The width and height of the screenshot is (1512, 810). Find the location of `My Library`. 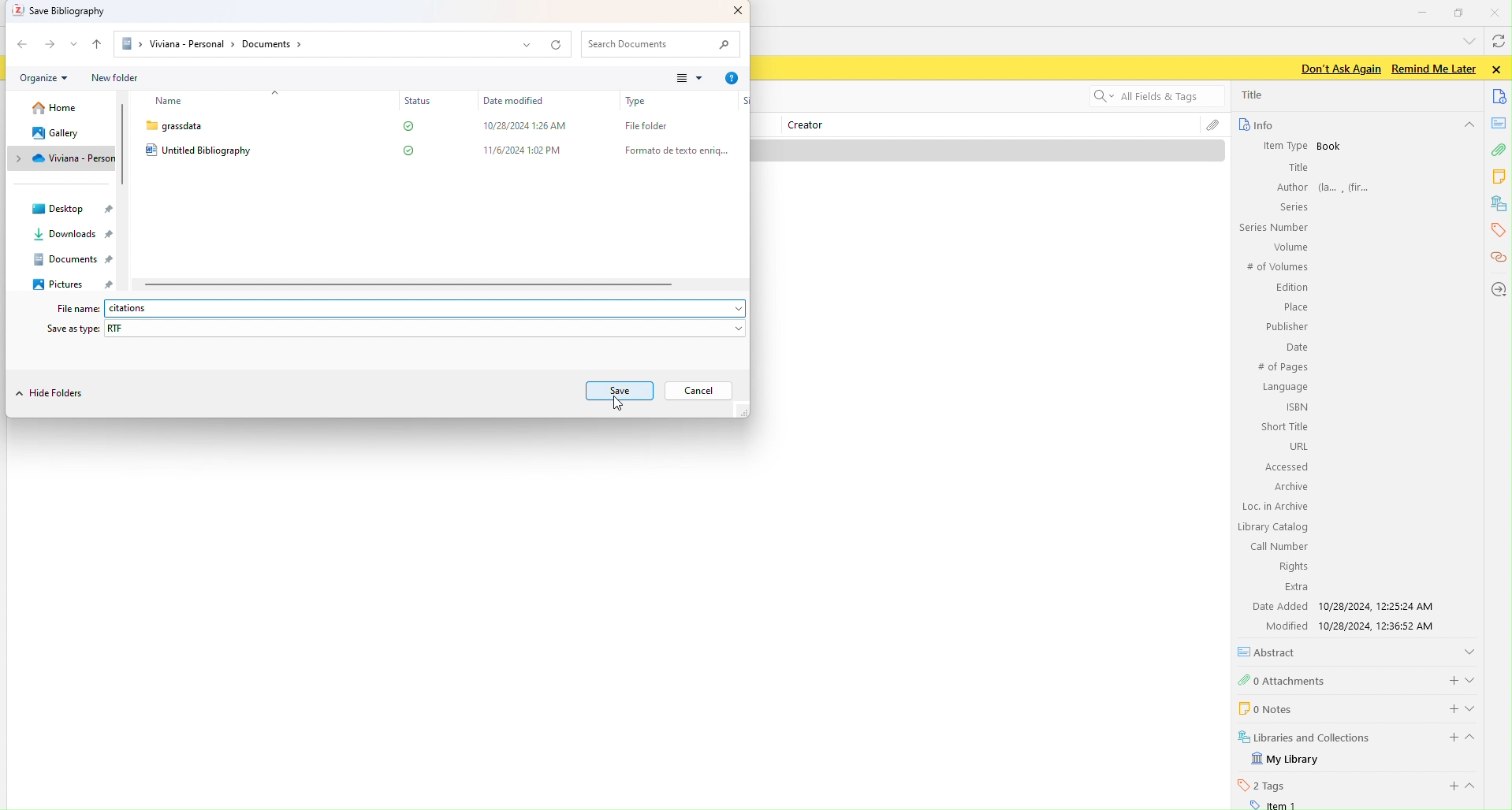

My Library is located at coordinates (1287, 760).